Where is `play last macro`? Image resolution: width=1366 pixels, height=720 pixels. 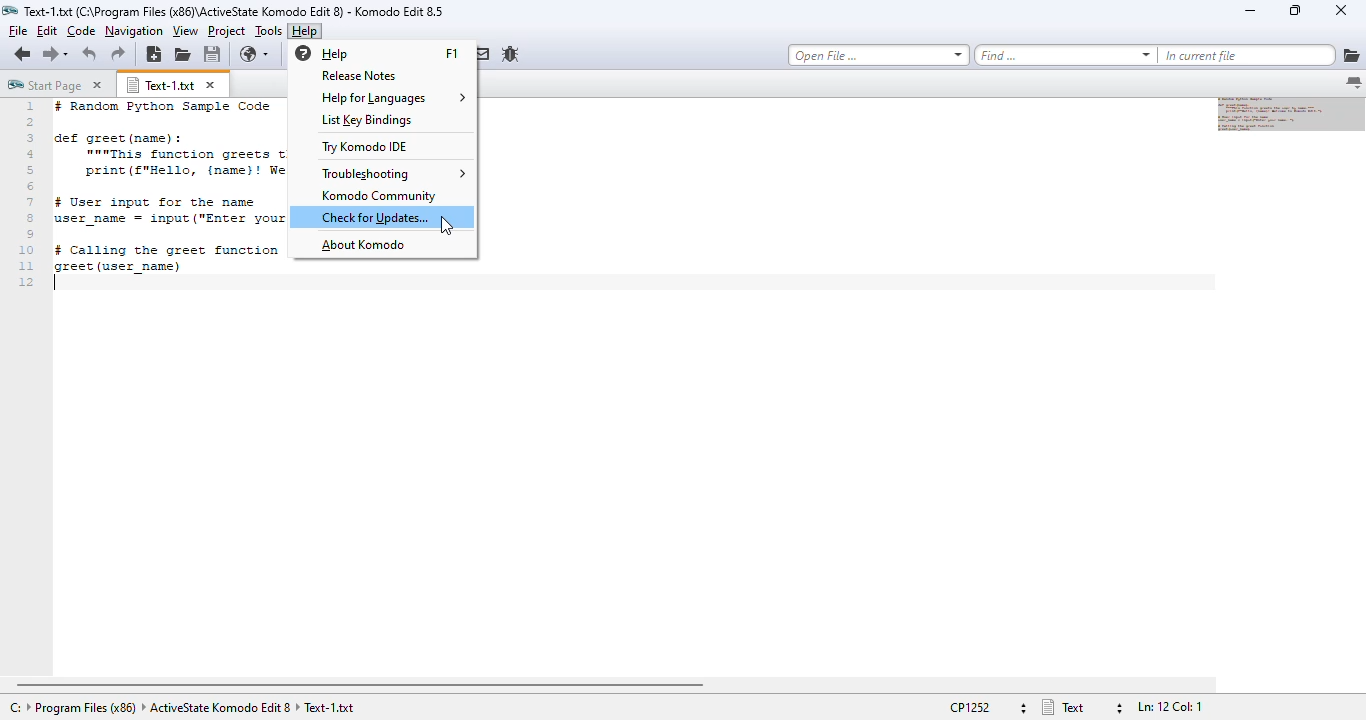 play last macro is located at coordinates (388, 54).